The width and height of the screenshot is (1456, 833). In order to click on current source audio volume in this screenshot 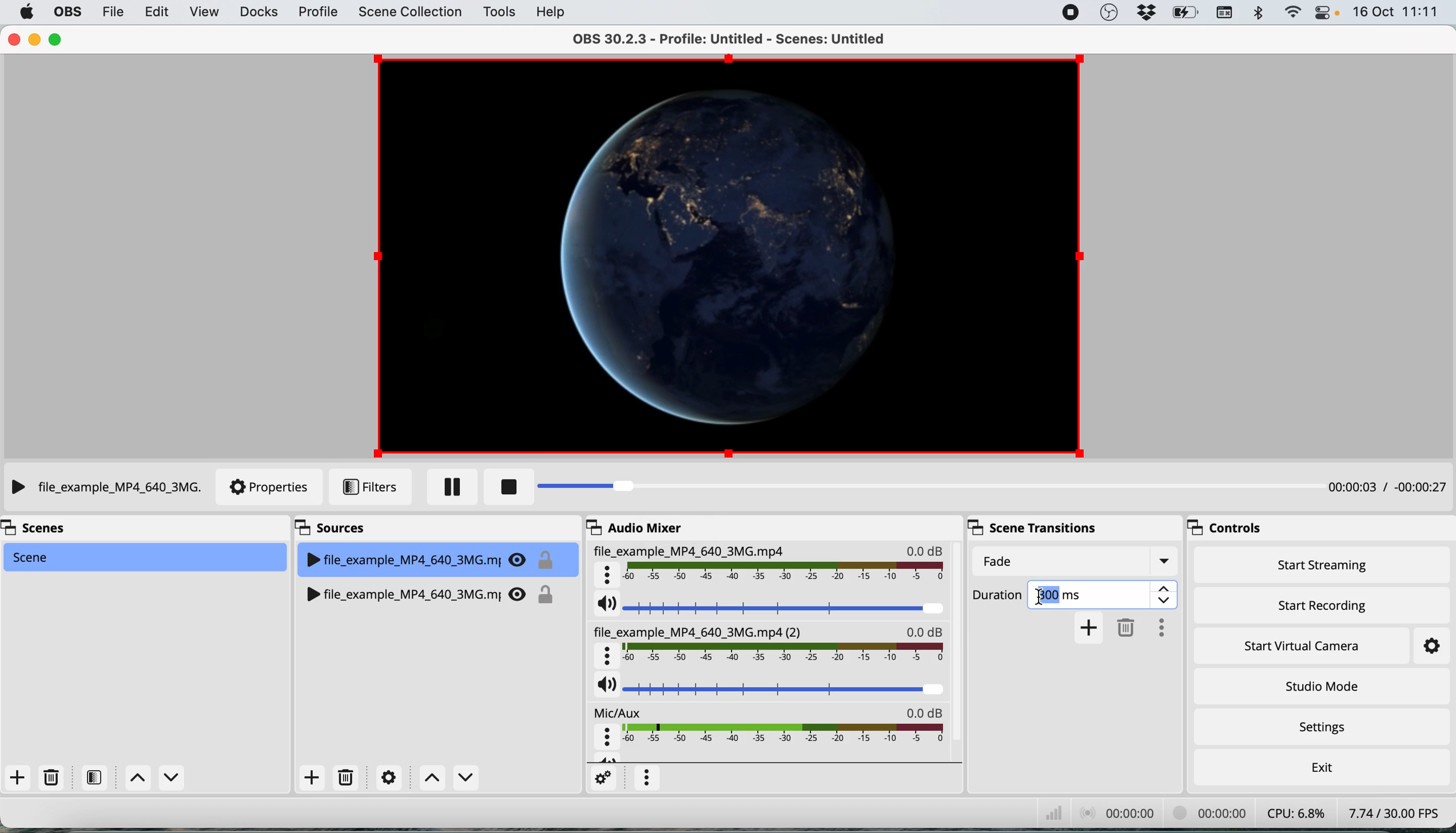, I will do `click(771, 609)`.